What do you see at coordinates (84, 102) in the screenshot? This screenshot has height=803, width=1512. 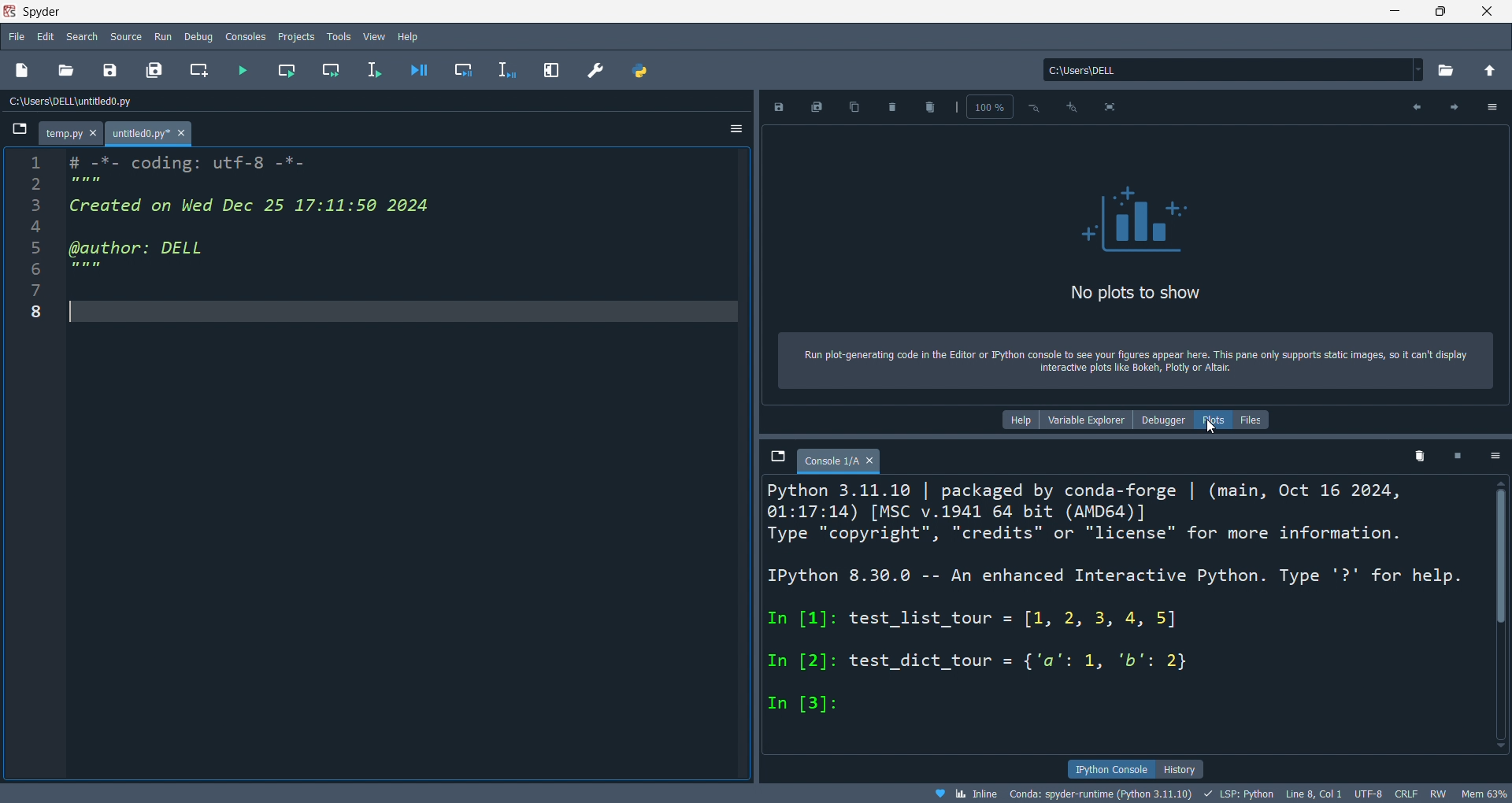 I see `file path` at bounding box center [84, 102].